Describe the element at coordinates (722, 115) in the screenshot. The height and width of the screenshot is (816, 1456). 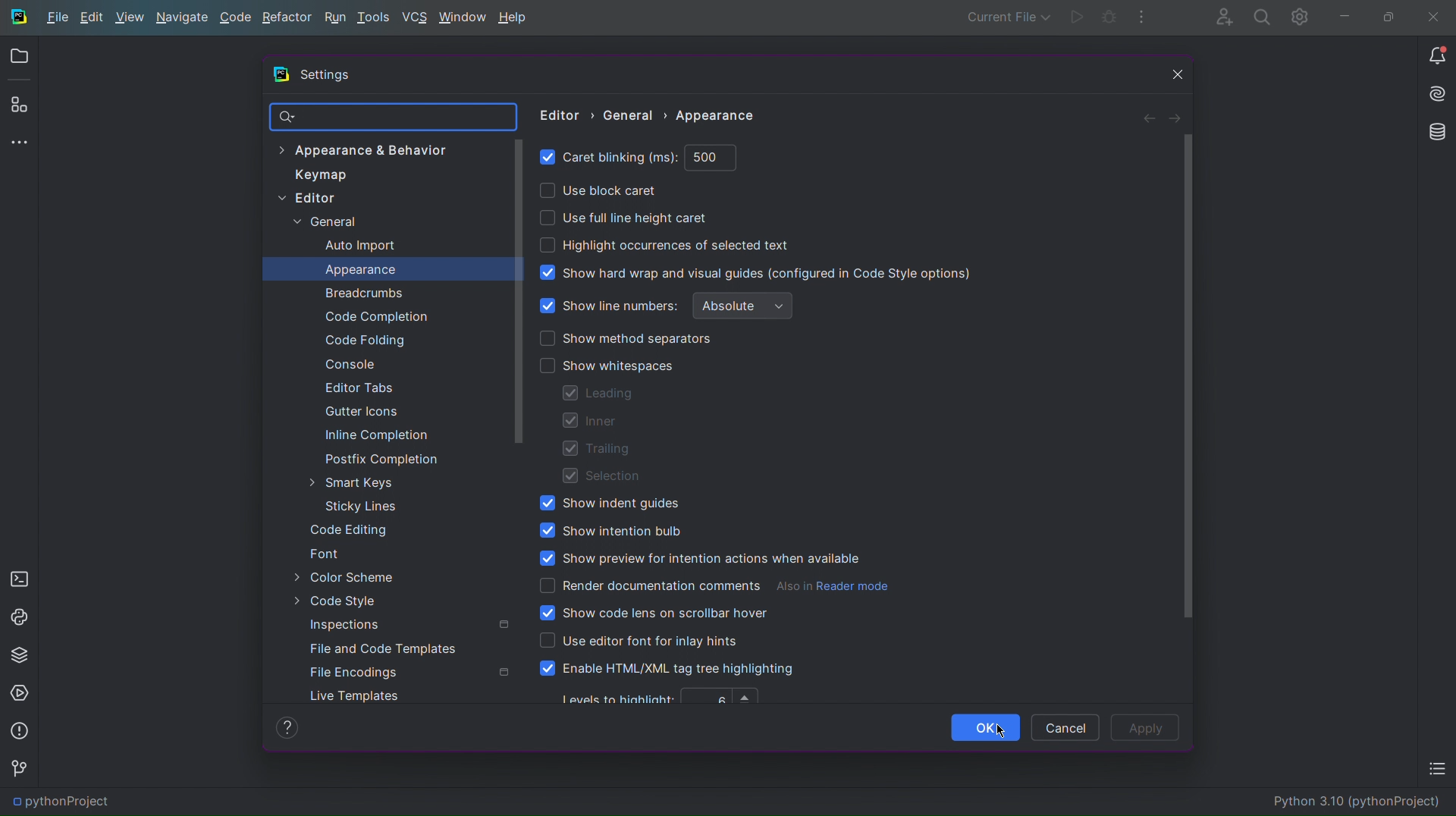
I see `Appearance` at that location.